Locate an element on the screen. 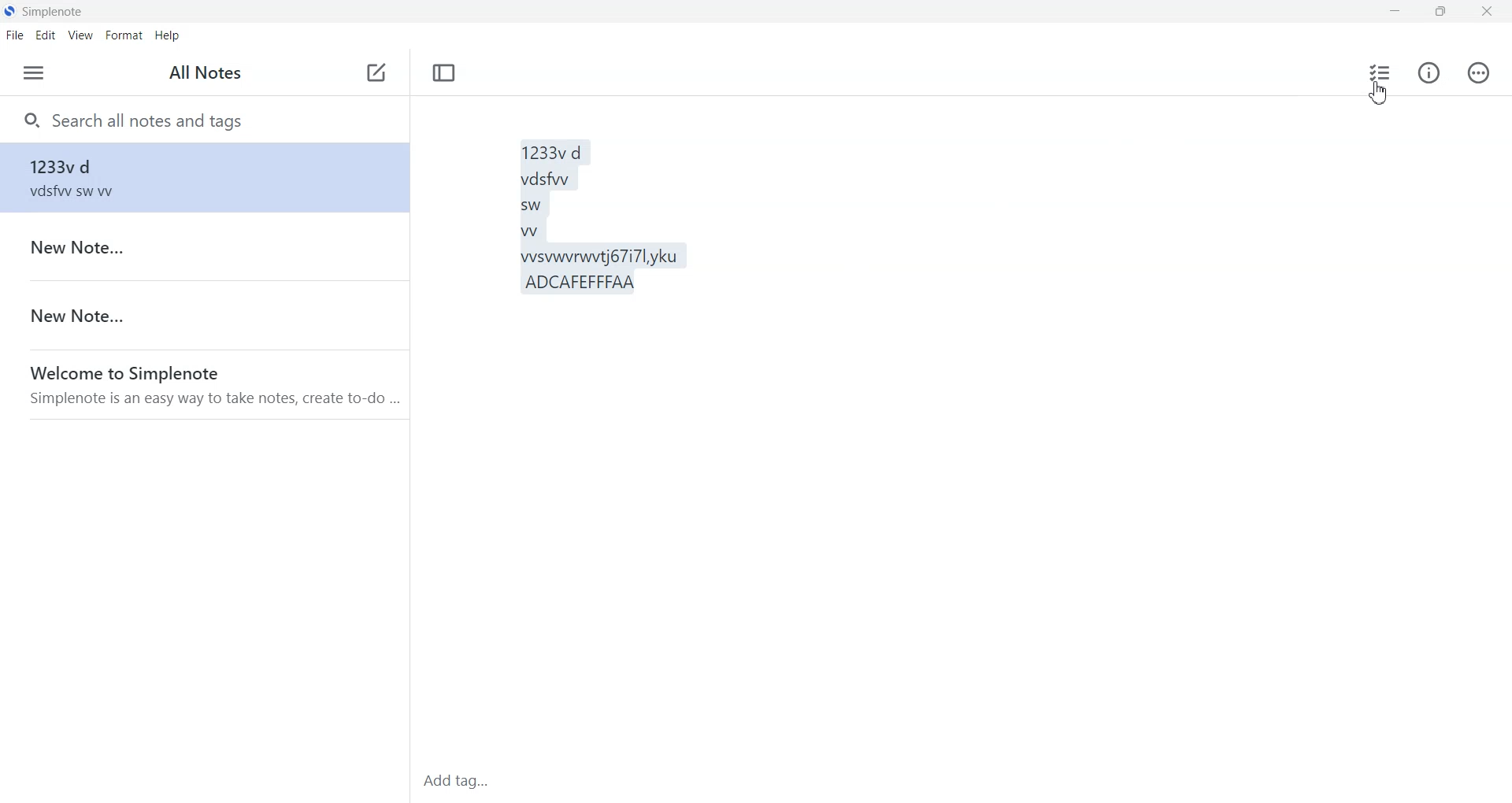 The height and width of the screenshot is (803, 1512). 1233v vdsfw TW W wswwwwtj677lyku ADCAFEFFFAA is located at coordinates (891, 420).